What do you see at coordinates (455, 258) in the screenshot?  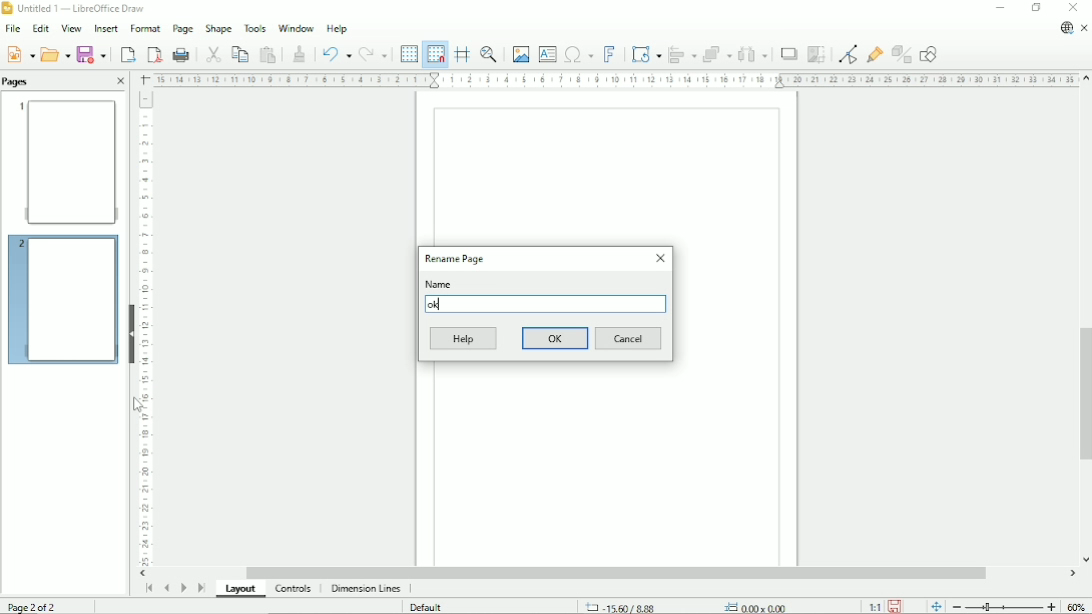 I see `Rename page` at bounding box center [455, 258].